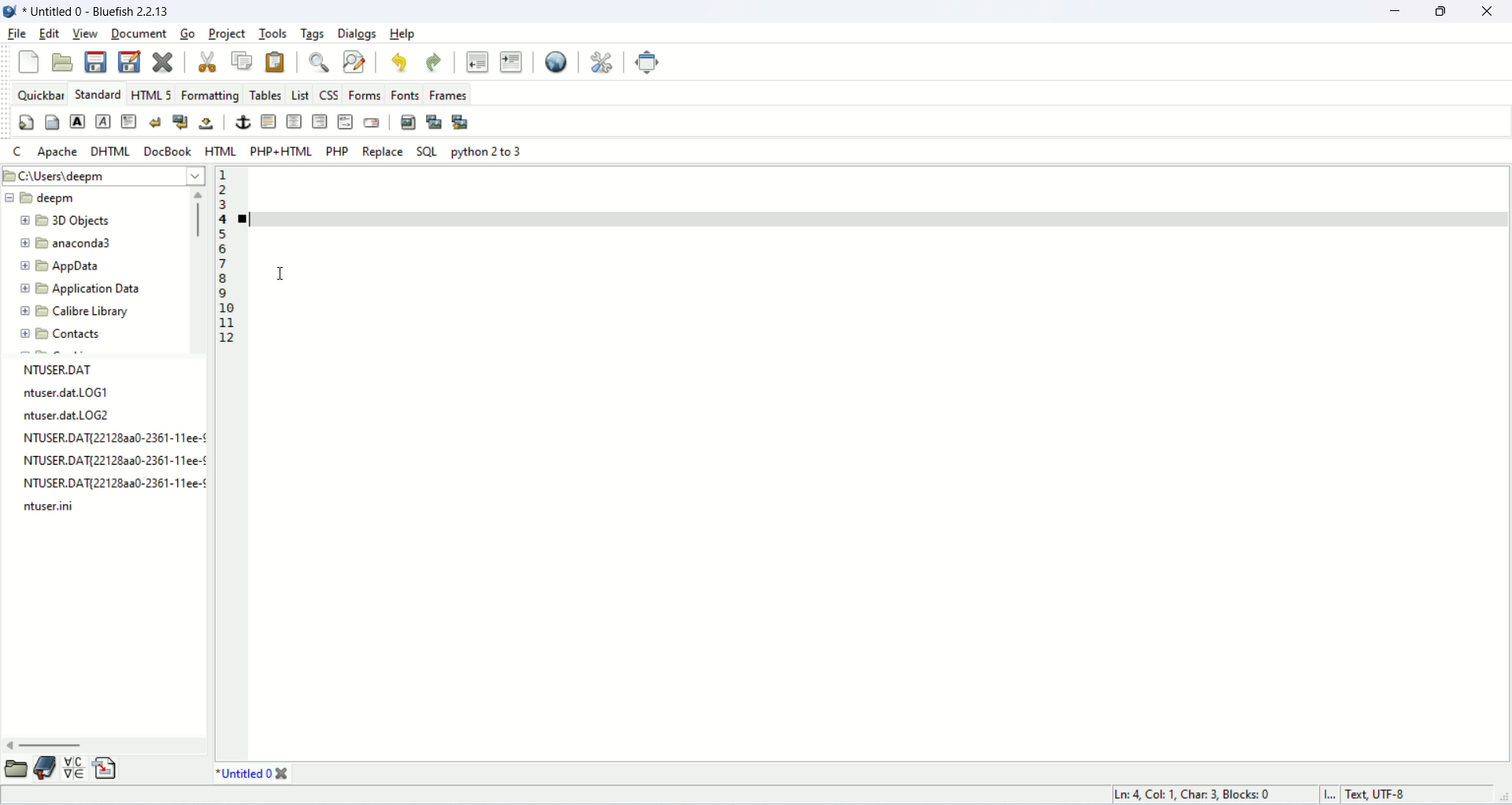 The width and height of the screenshot is (1512, 805). I want to click on break and navigation, so click(180, 122).